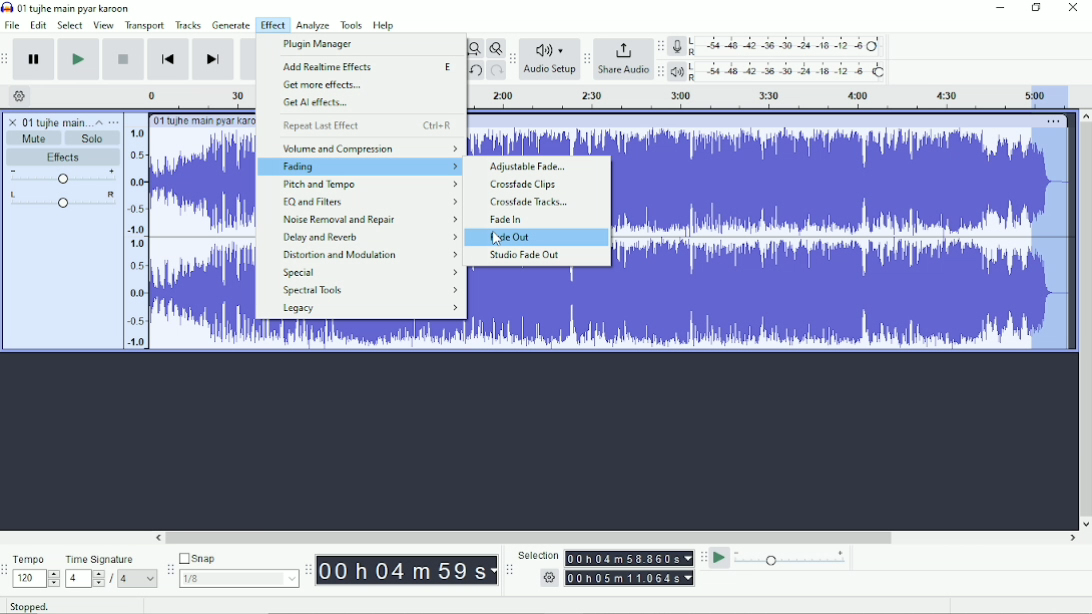 The image size is (1092, 614). I want to click on Snap, so click(239, 559).